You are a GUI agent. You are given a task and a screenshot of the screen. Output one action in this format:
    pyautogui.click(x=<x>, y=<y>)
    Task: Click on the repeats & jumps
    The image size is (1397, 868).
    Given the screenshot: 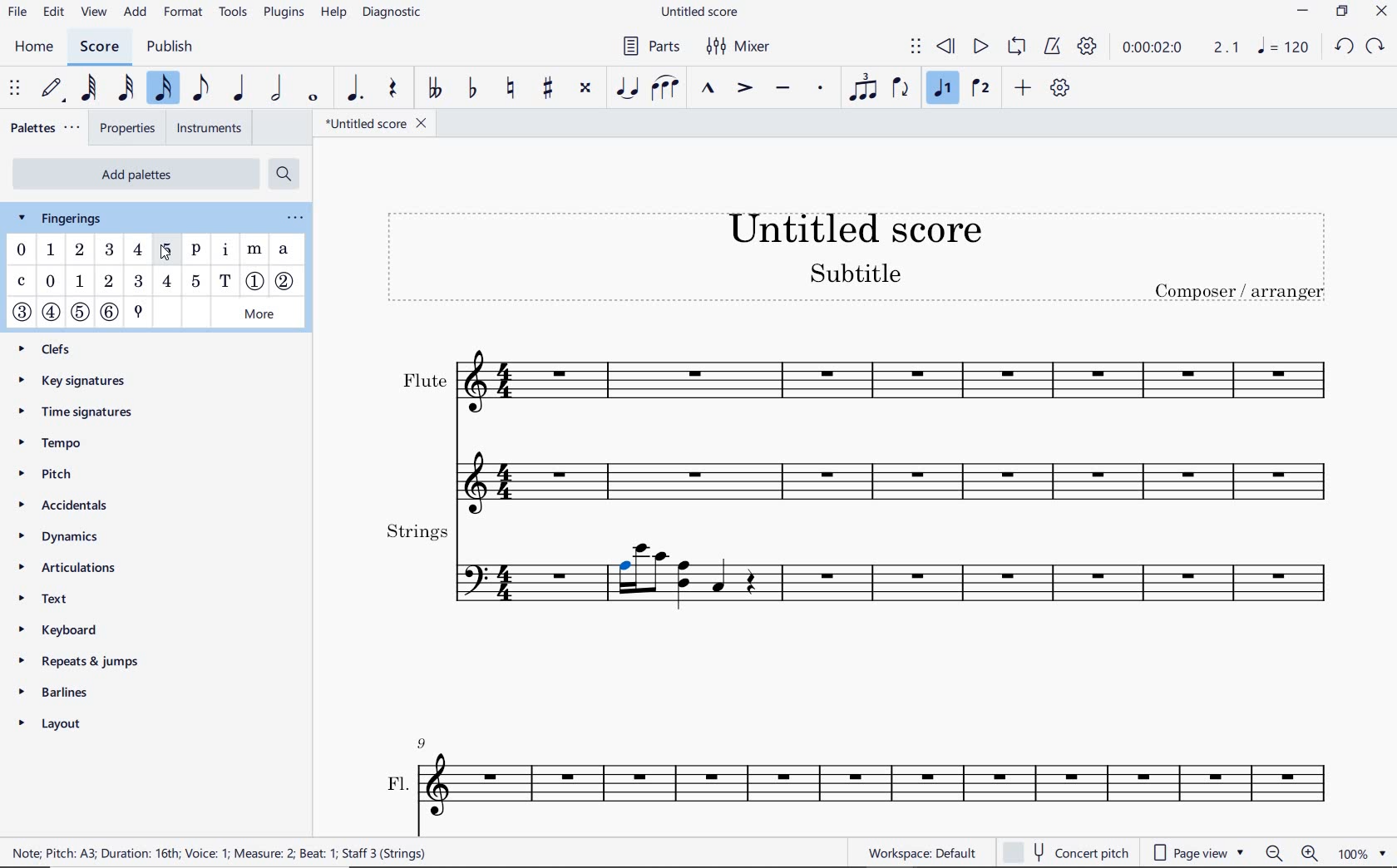 What is the action you would take?
    pyautogui.click(x=91, y=659)
    